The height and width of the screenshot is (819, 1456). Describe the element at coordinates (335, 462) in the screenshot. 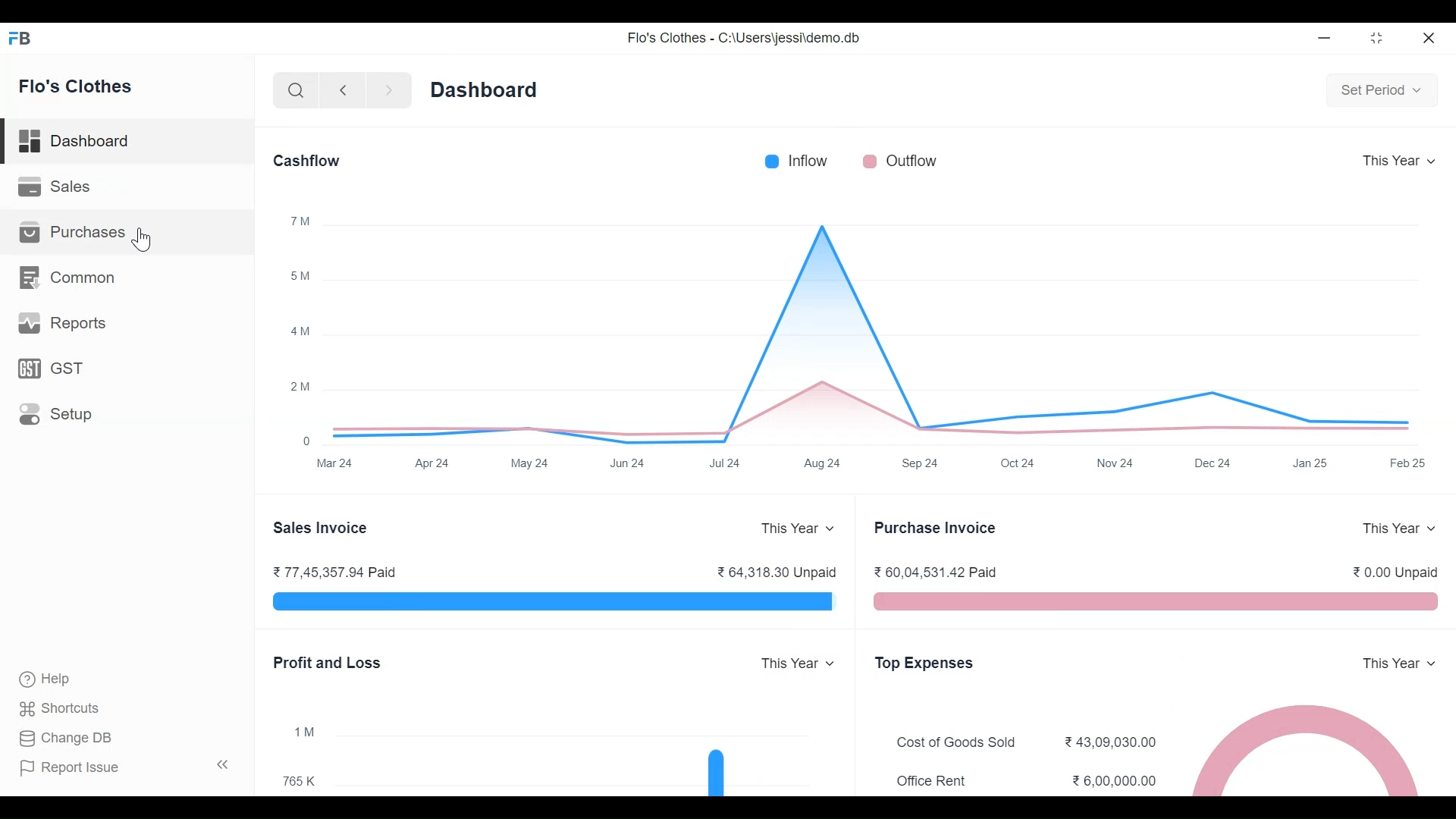

I see `Mar 24` at that location.